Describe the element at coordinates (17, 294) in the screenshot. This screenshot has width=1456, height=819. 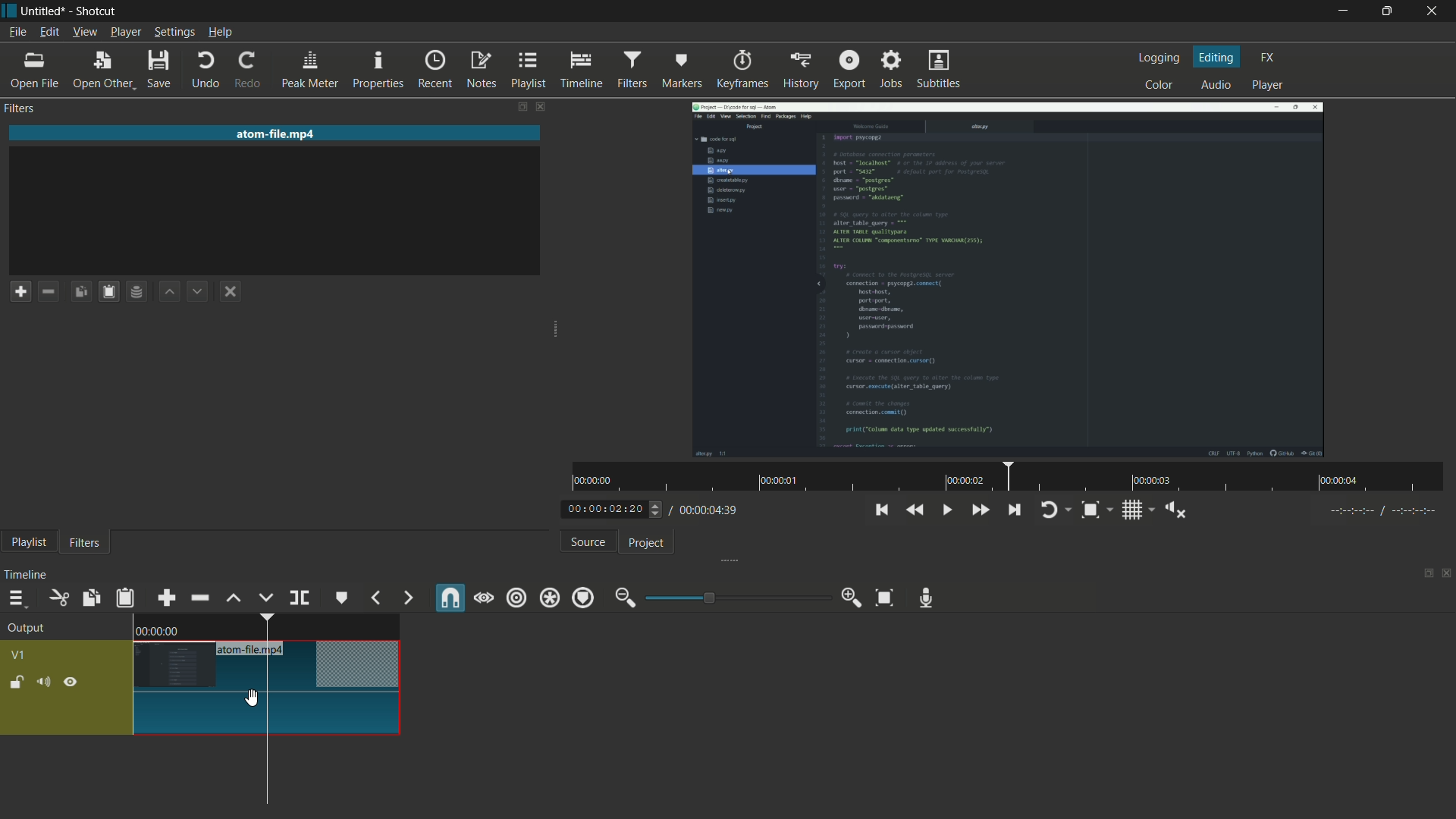
I see `add a filter` at that location.